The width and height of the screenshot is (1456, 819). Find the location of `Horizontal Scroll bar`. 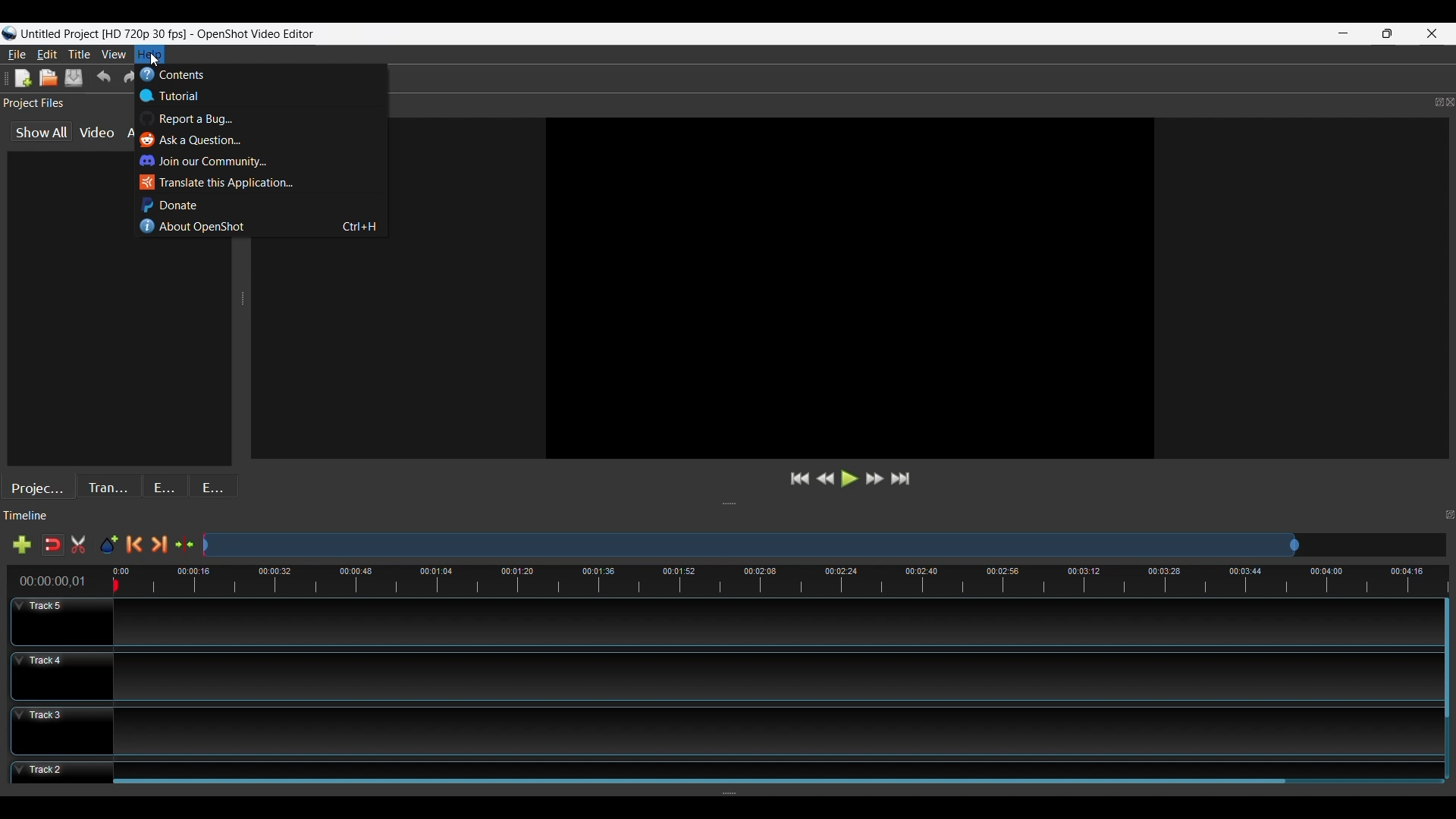

Horizontal Scroll bar is located at coordinates (699, 780).